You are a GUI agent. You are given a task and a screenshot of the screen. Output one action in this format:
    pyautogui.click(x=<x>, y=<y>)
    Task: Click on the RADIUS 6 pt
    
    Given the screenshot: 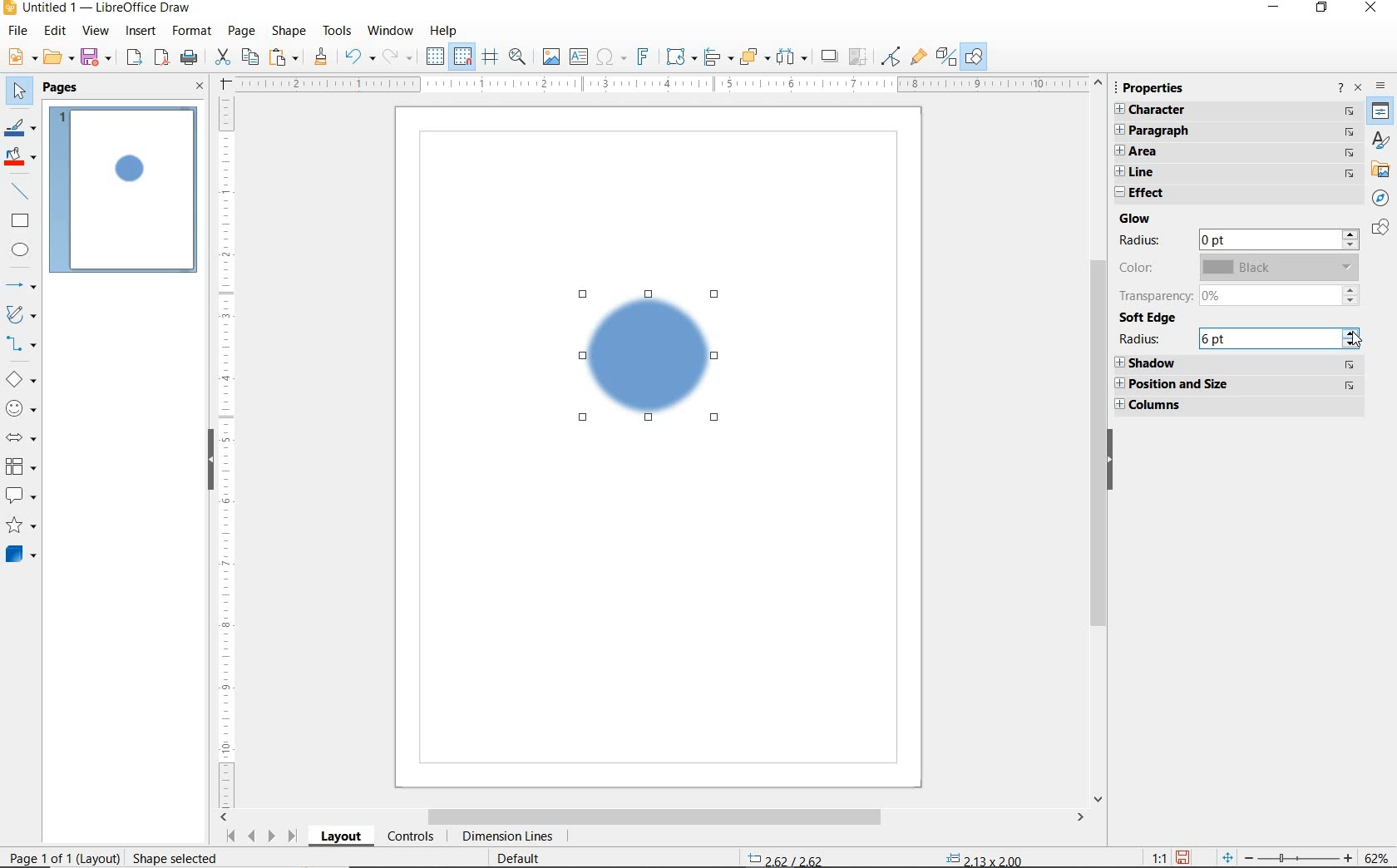 What is the action you would take?
    pyautogui.click(x=1226, y=338)
    